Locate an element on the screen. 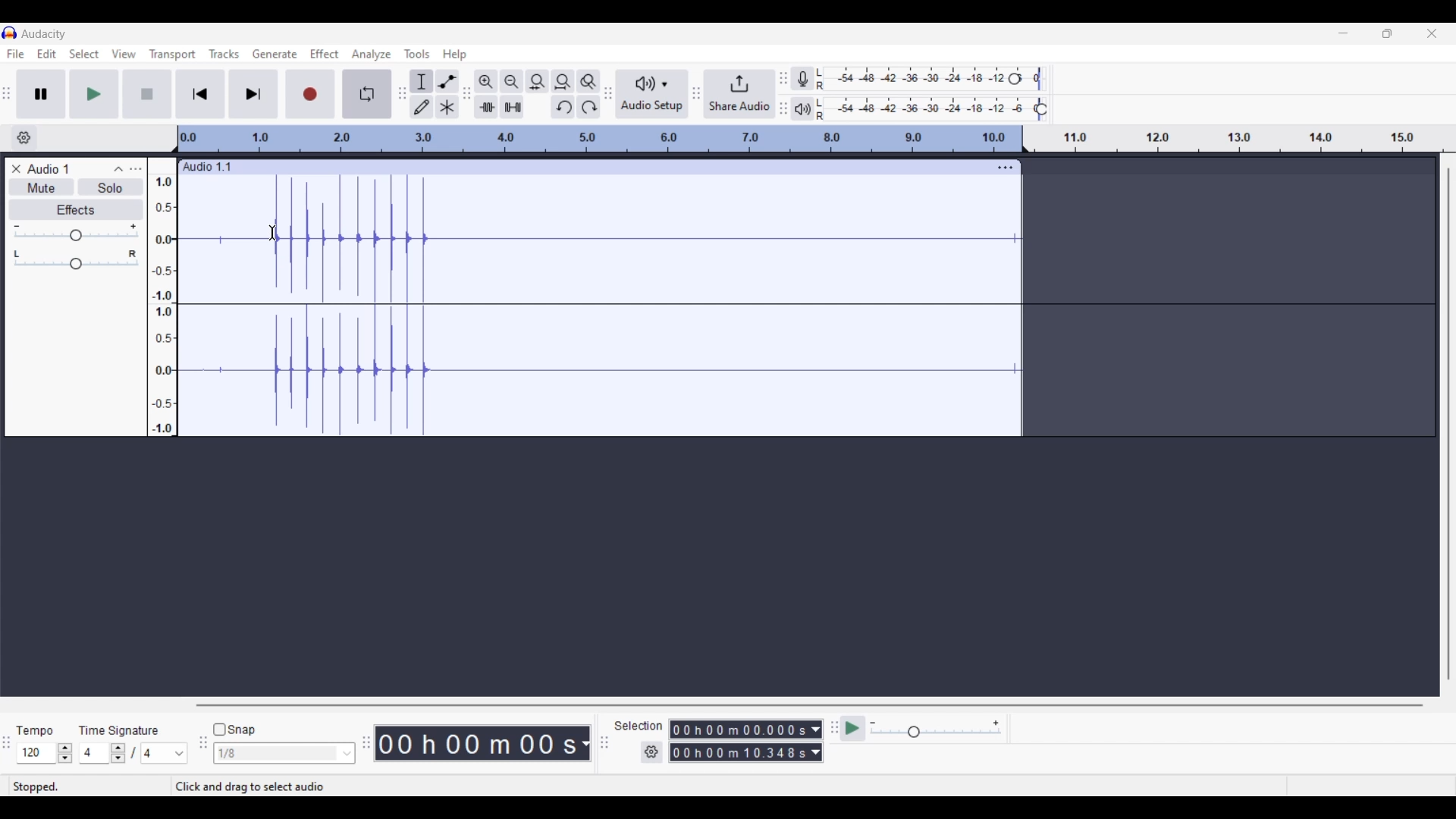 This screenshot has height=819, width=1456. Track head is located at coordinates (176, 139).